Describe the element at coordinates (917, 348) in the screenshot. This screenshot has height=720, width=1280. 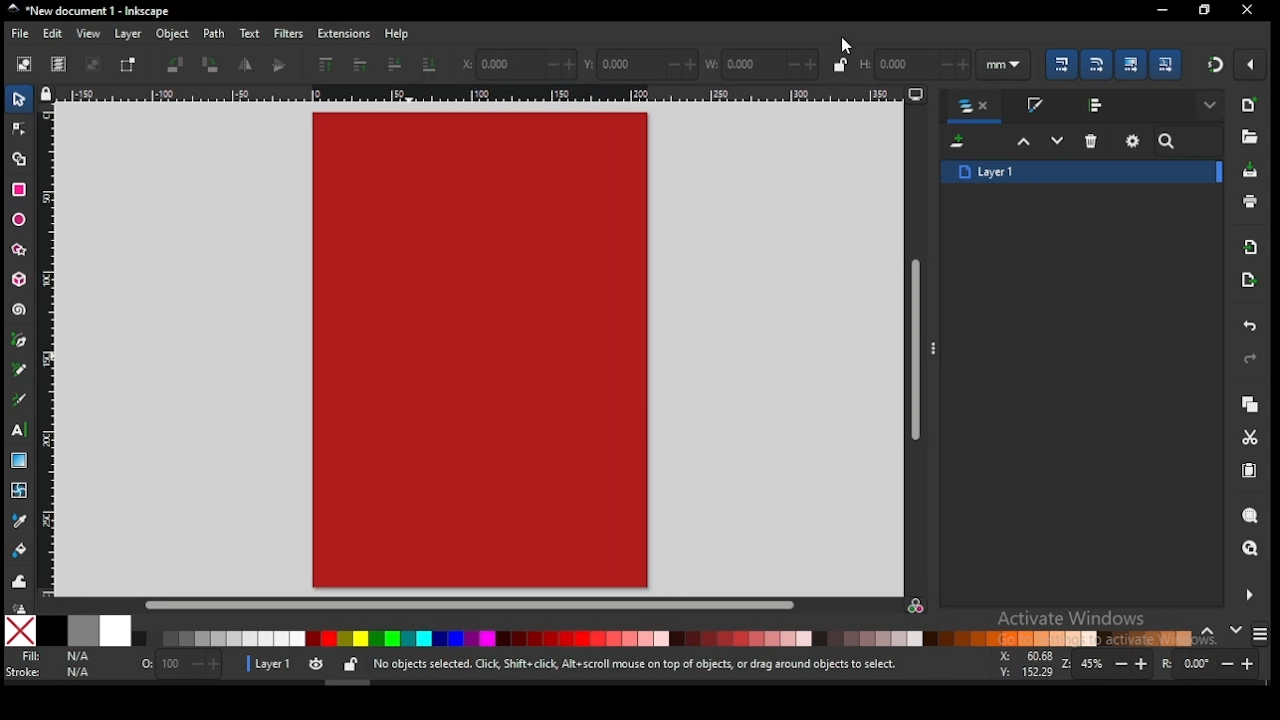
I see `scroll bar` at that location.